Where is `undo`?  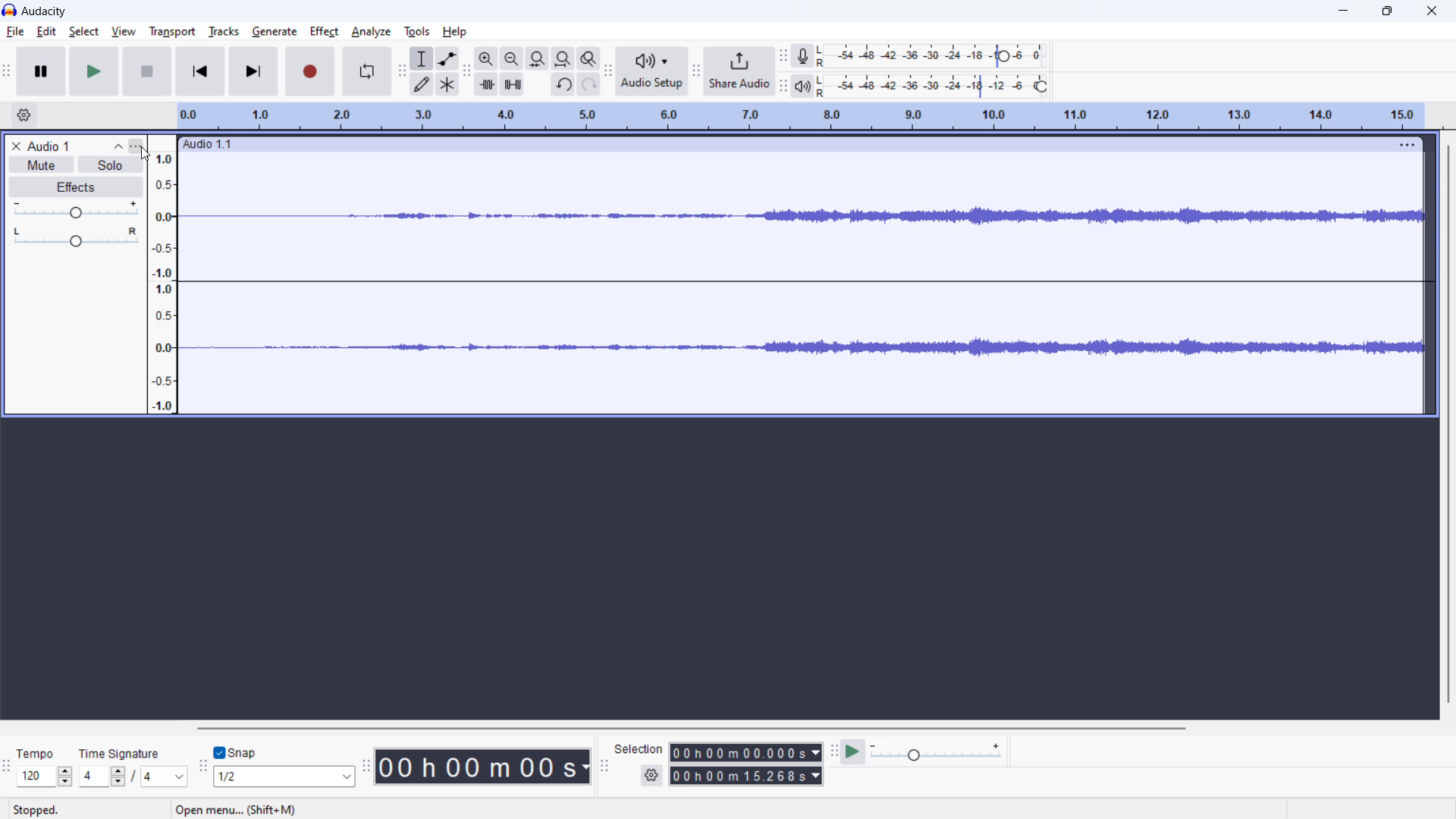 undo is located at coordinates (563, 84).